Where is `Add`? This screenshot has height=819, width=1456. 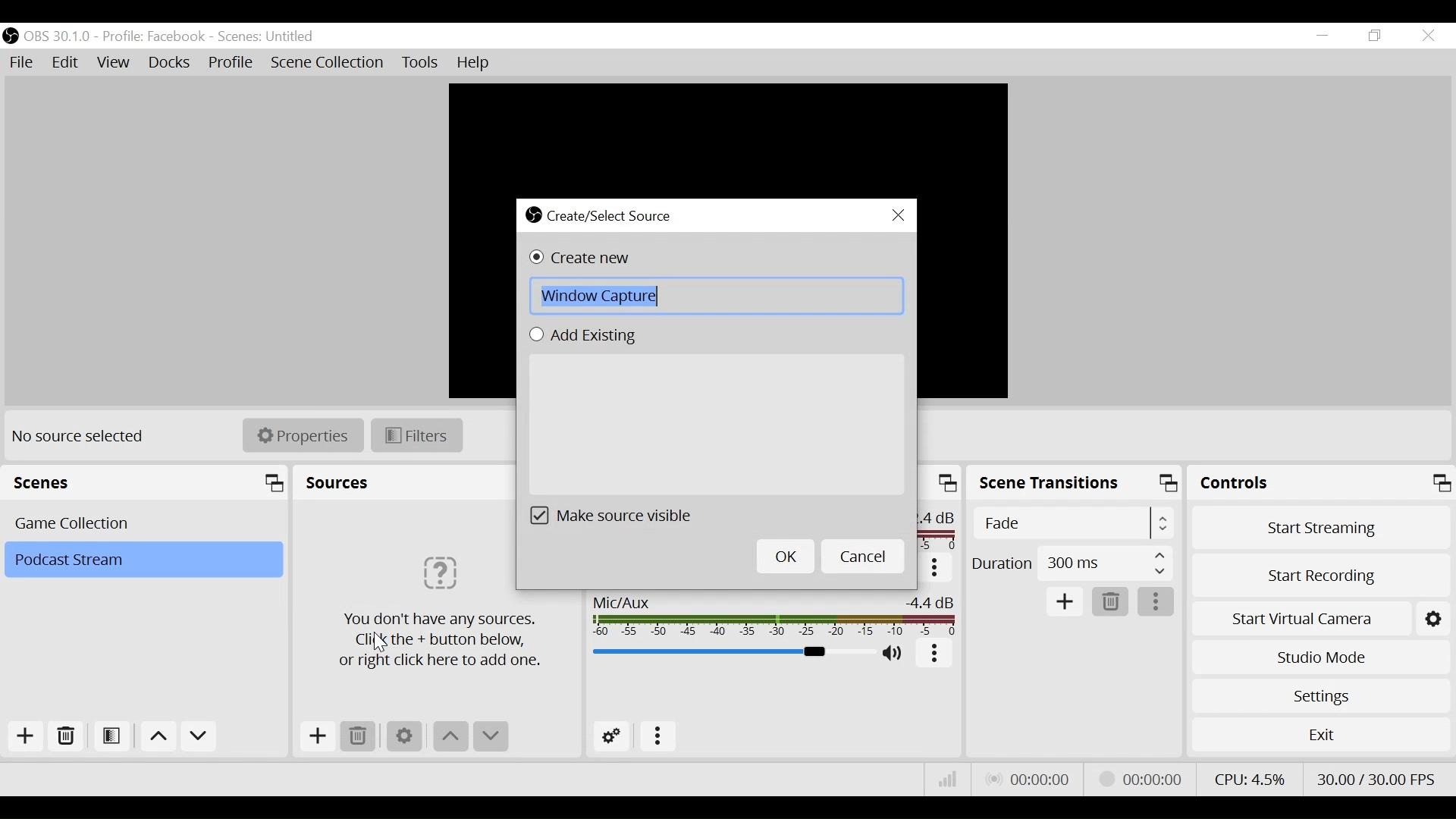 Add is located at coordinates (1066, 601).